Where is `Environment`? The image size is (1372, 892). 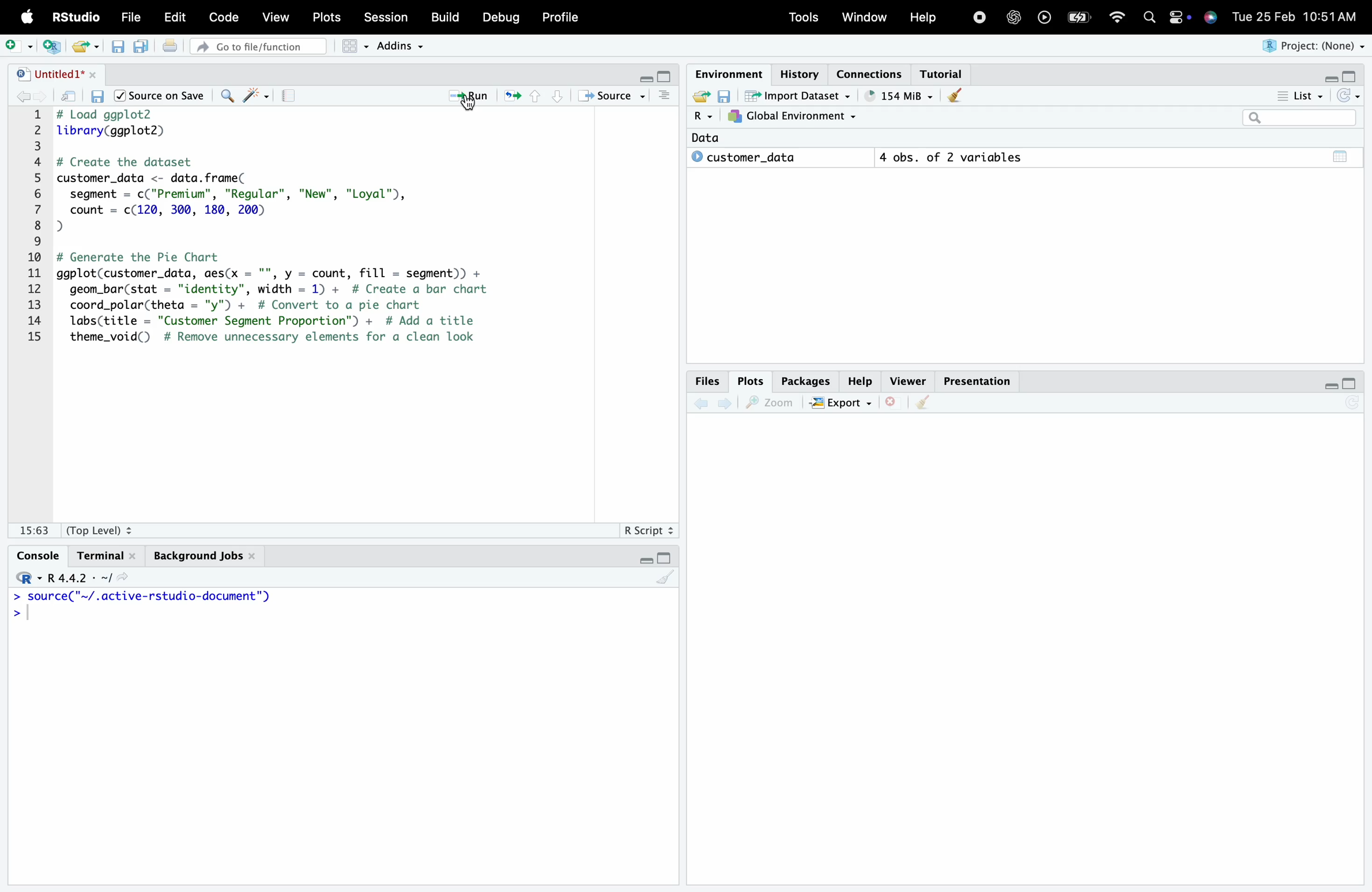
Environment is located at coordinates (726, 72).